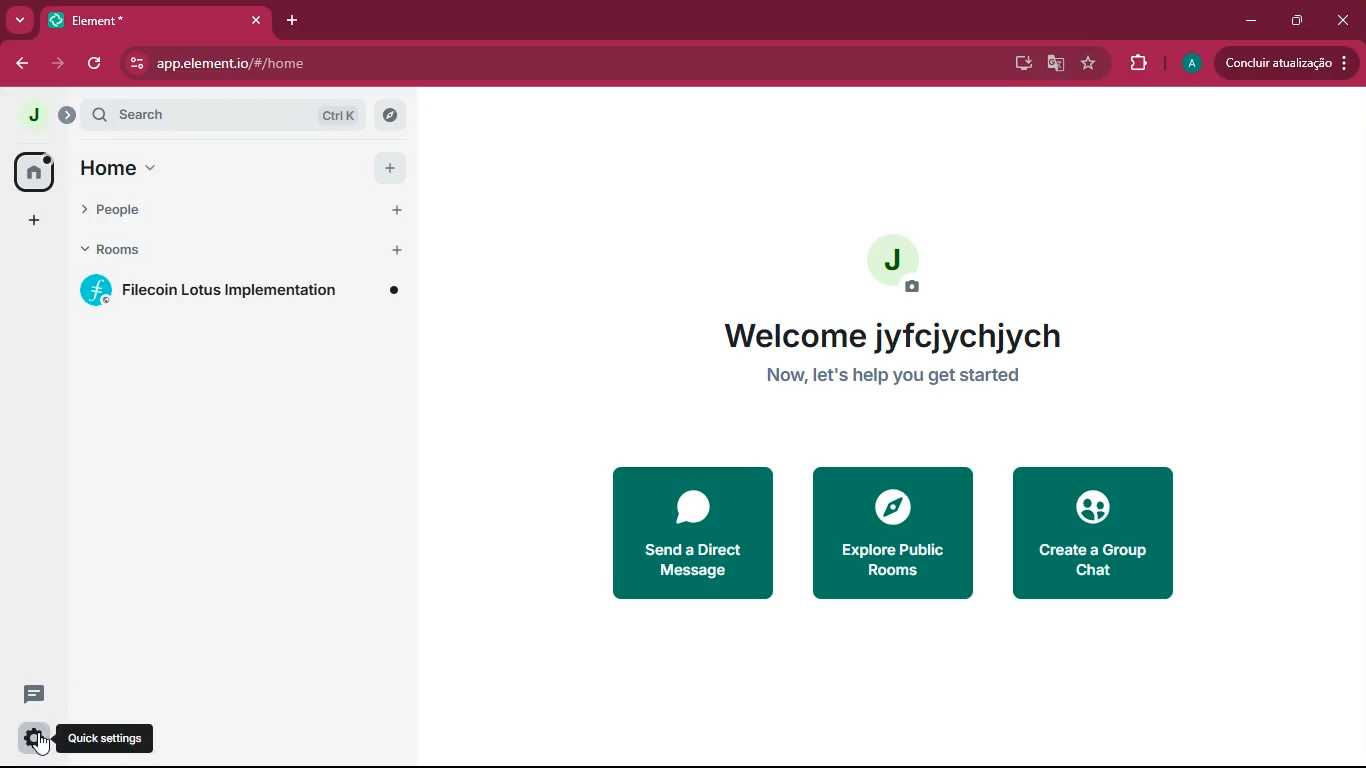 Image resolution: width=1366 pixels, height=768 pixels. What do you see at coordinates (143, 250) in the screenshot?
I see `rooms` at bounding box center [143, 250].